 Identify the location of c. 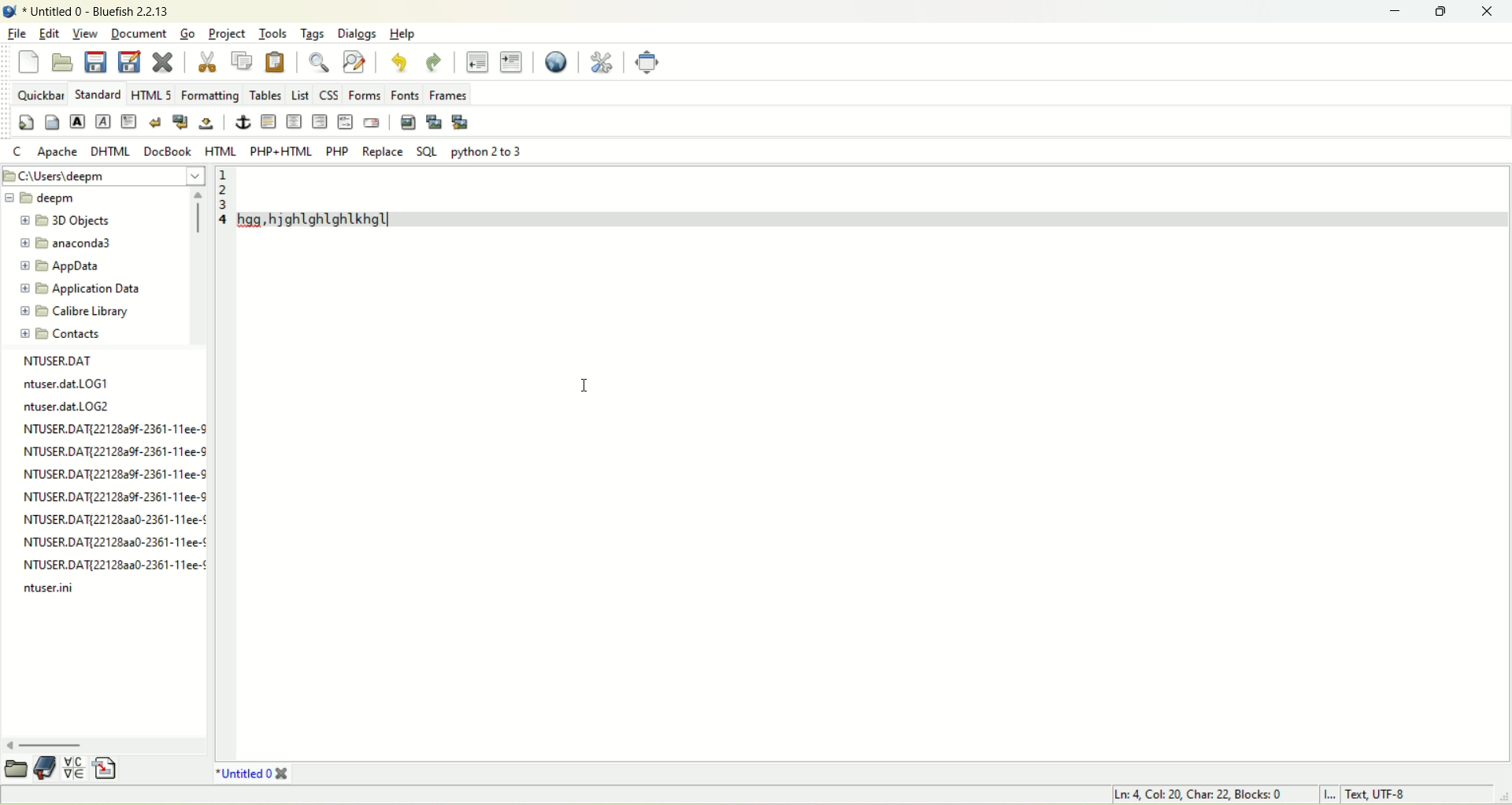
(19, 150).